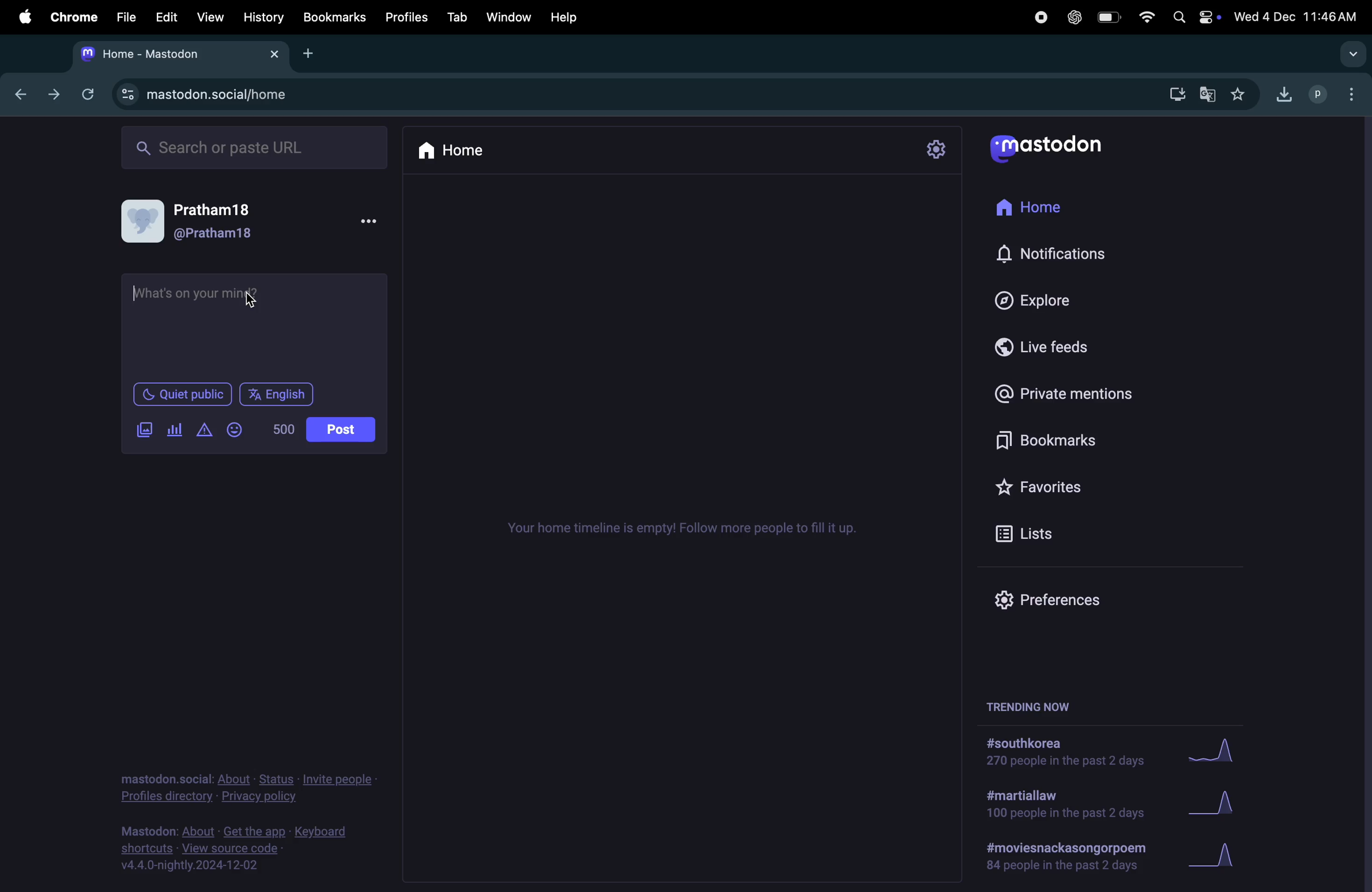 The image size is (1372, 892). Describe the element at coordinates (257, 304) in the screenshot. I see `cursor` at that location.